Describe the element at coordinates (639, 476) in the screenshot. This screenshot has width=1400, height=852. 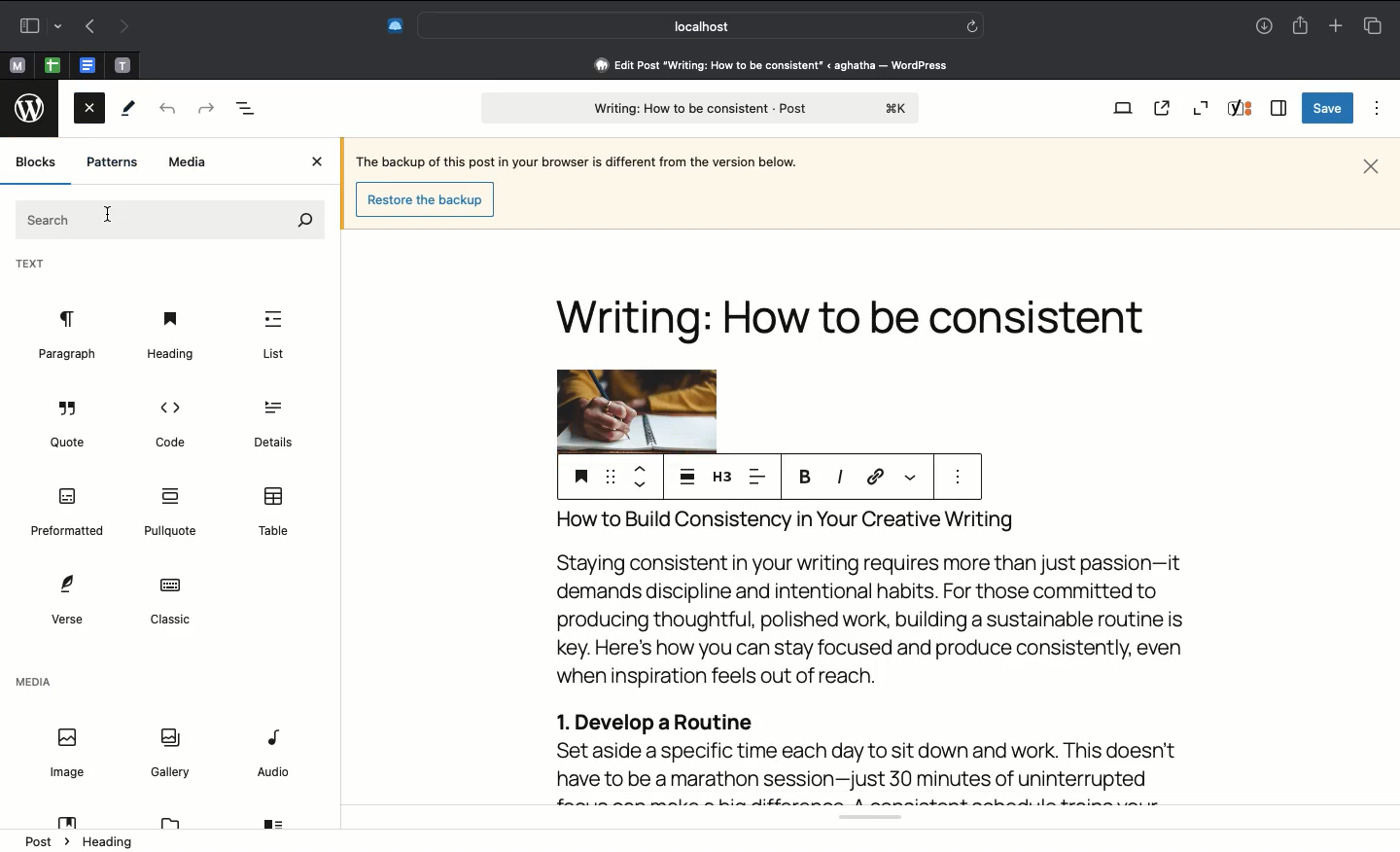
I see `Move up move down` at that location.